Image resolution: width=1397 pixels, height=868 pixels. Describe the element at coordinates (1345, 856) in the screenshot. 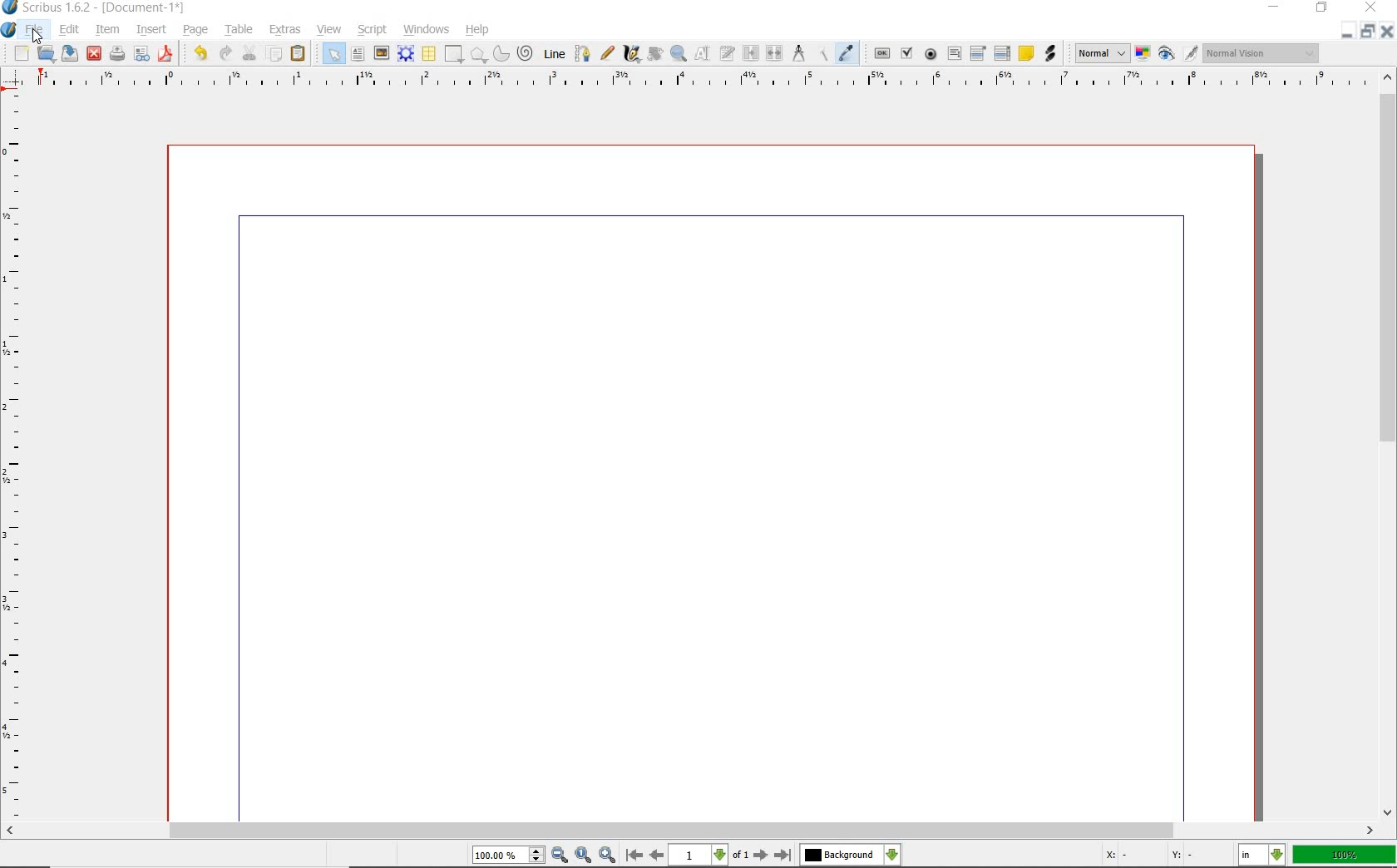

I see `zoom factor` at that location.